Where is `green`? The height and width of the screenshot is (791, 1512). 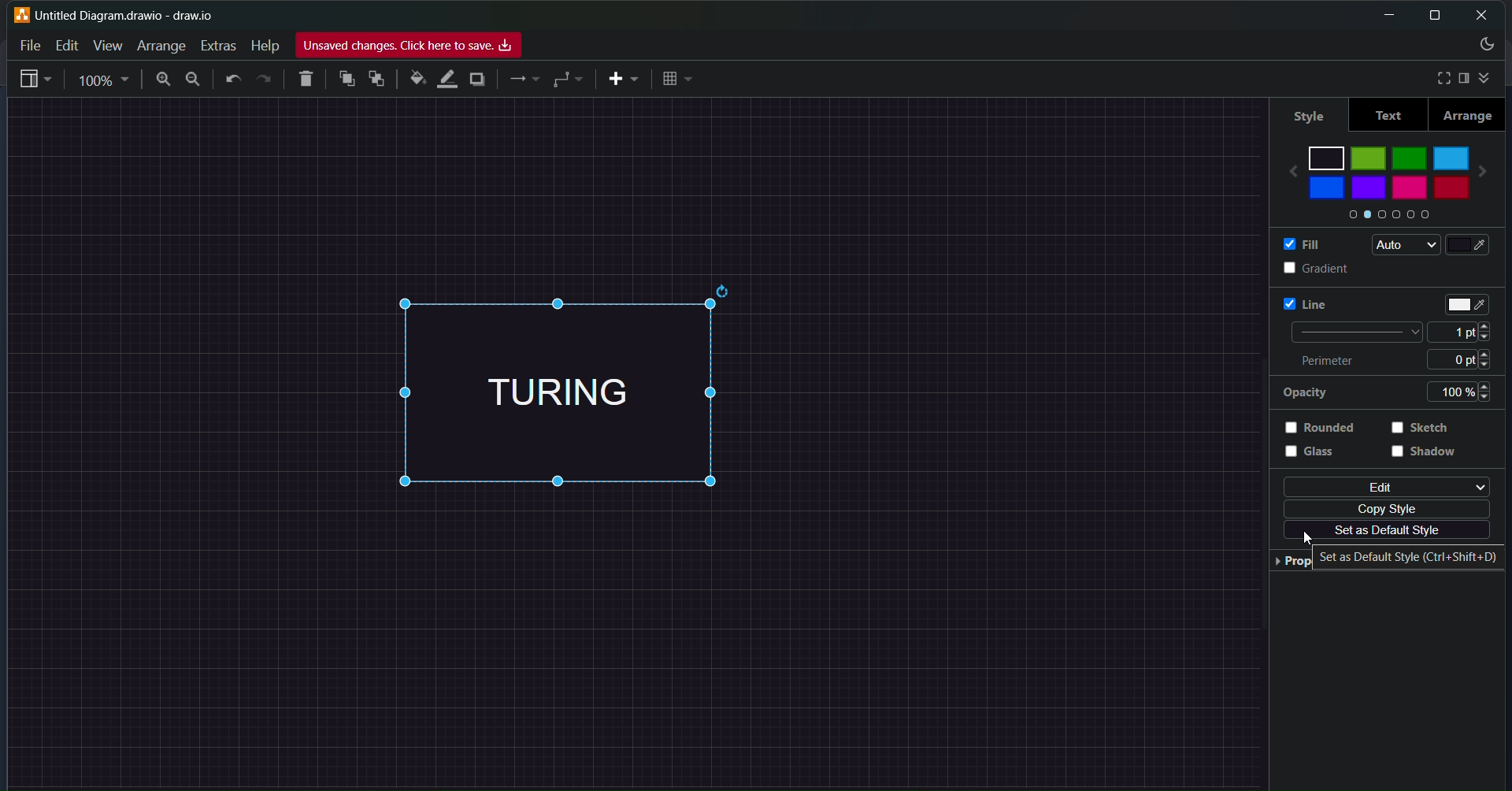
green is located at coordinates (1410, 155).